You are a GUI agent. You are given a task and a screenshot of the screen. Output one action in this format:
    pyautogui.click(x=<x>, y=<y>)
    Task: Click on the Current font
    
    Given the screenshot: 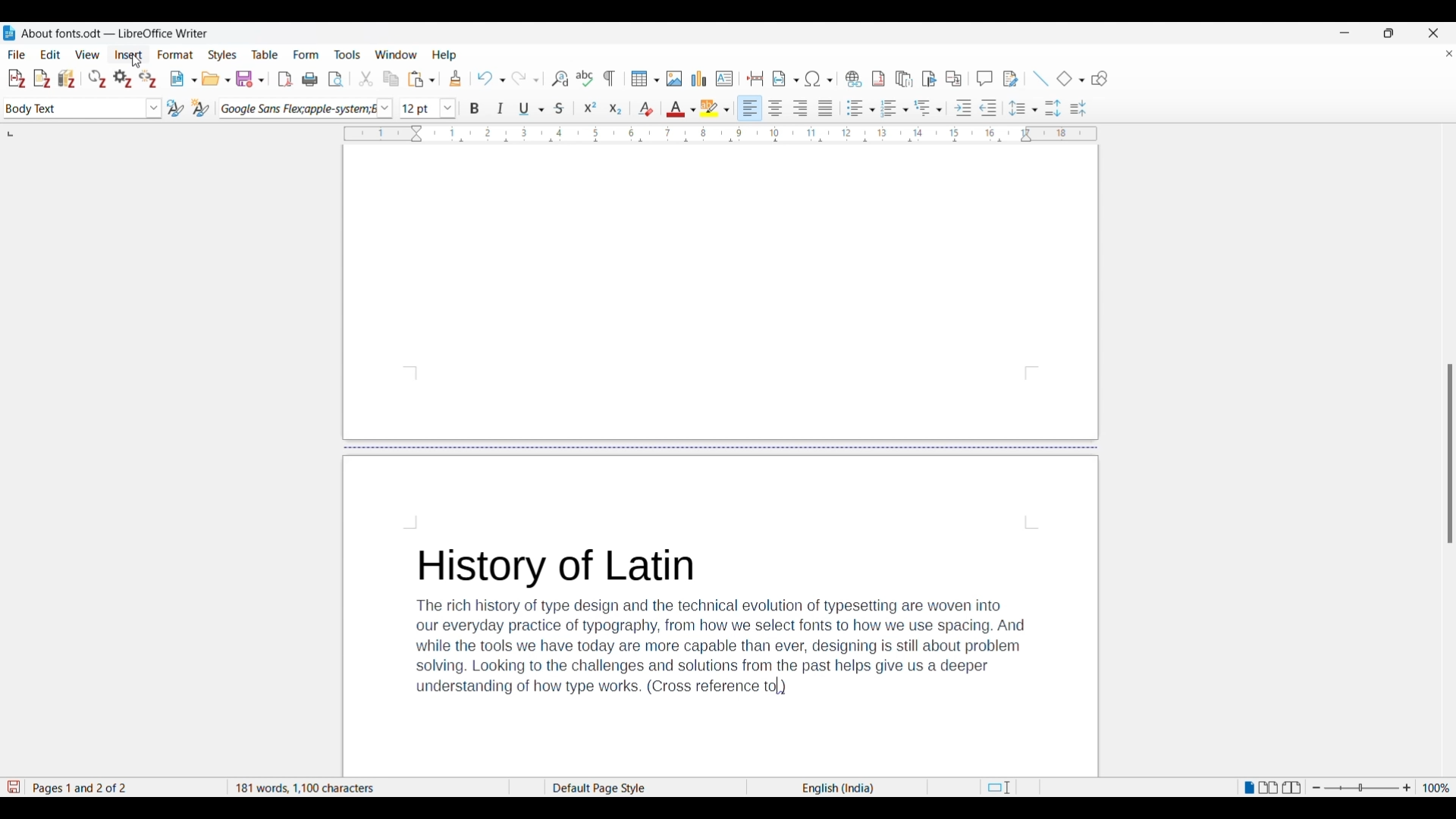 What is the action you would take?
    pyautogui.click(x=296, y=108)
    